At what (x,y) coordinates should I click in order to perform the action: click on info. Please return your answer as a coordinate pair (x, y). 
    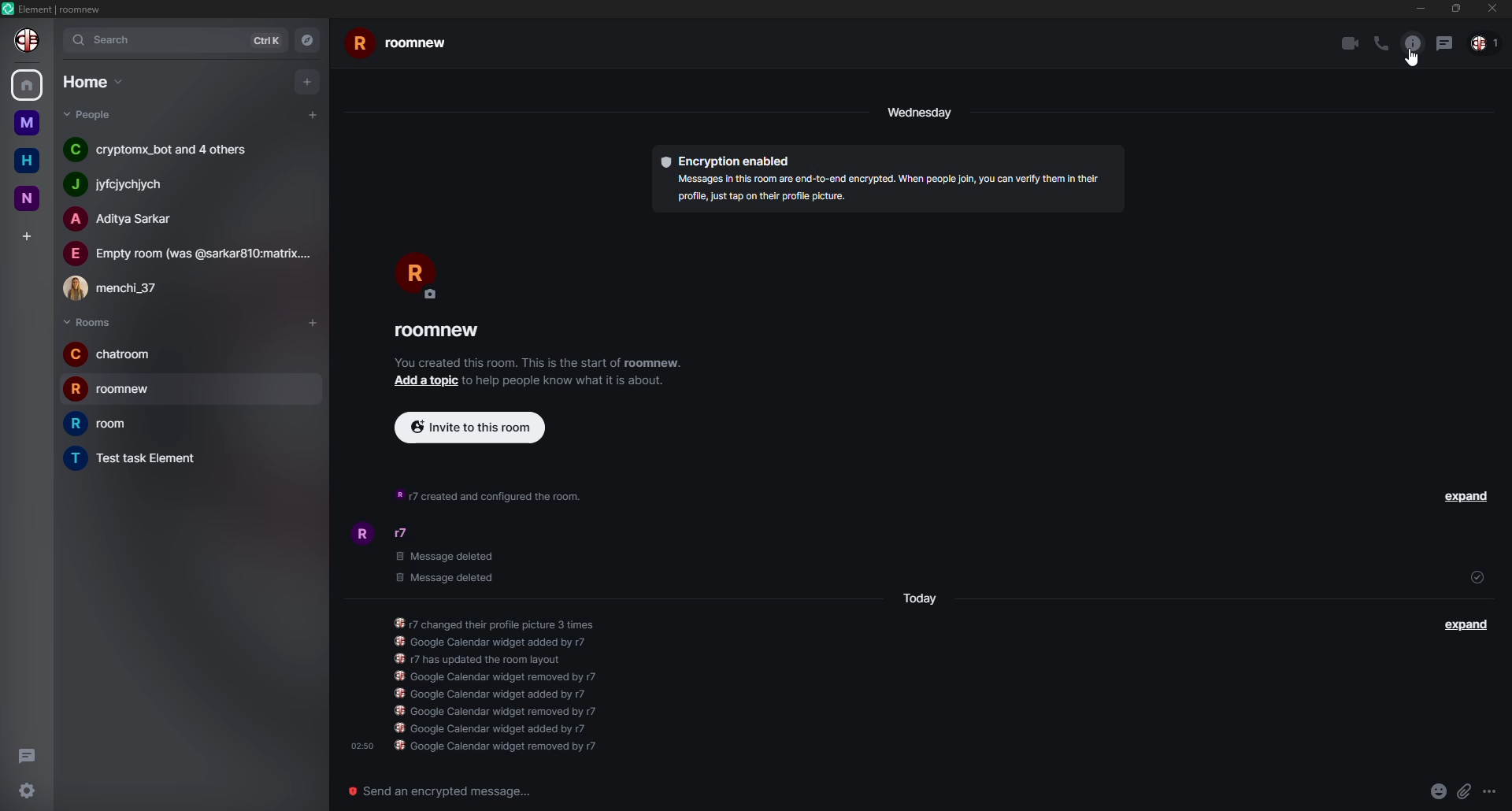
    Looking at the image, I should click on (567, 383).